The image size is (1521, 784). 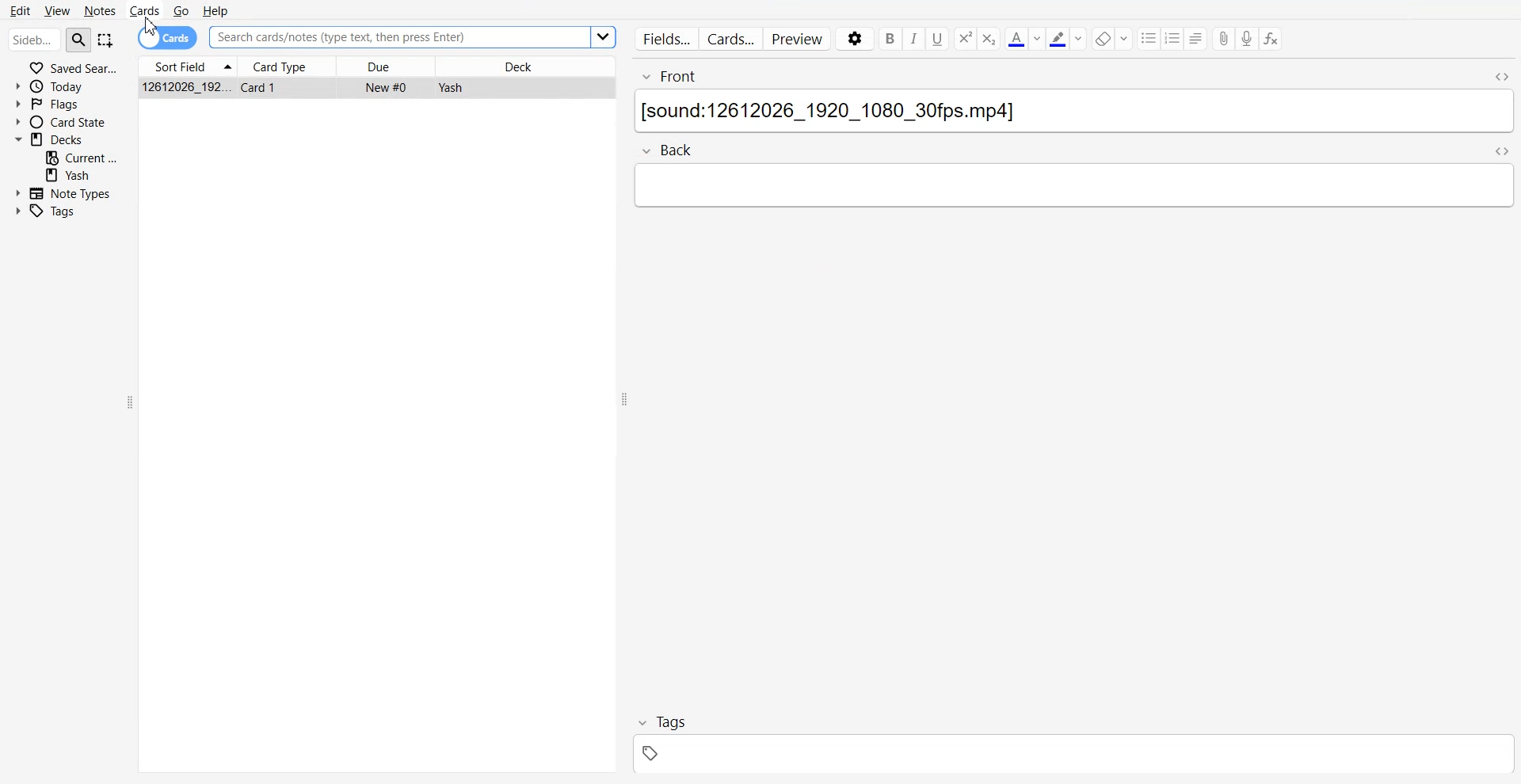 I want to click on Search Bar, so click(x=397, y=37).